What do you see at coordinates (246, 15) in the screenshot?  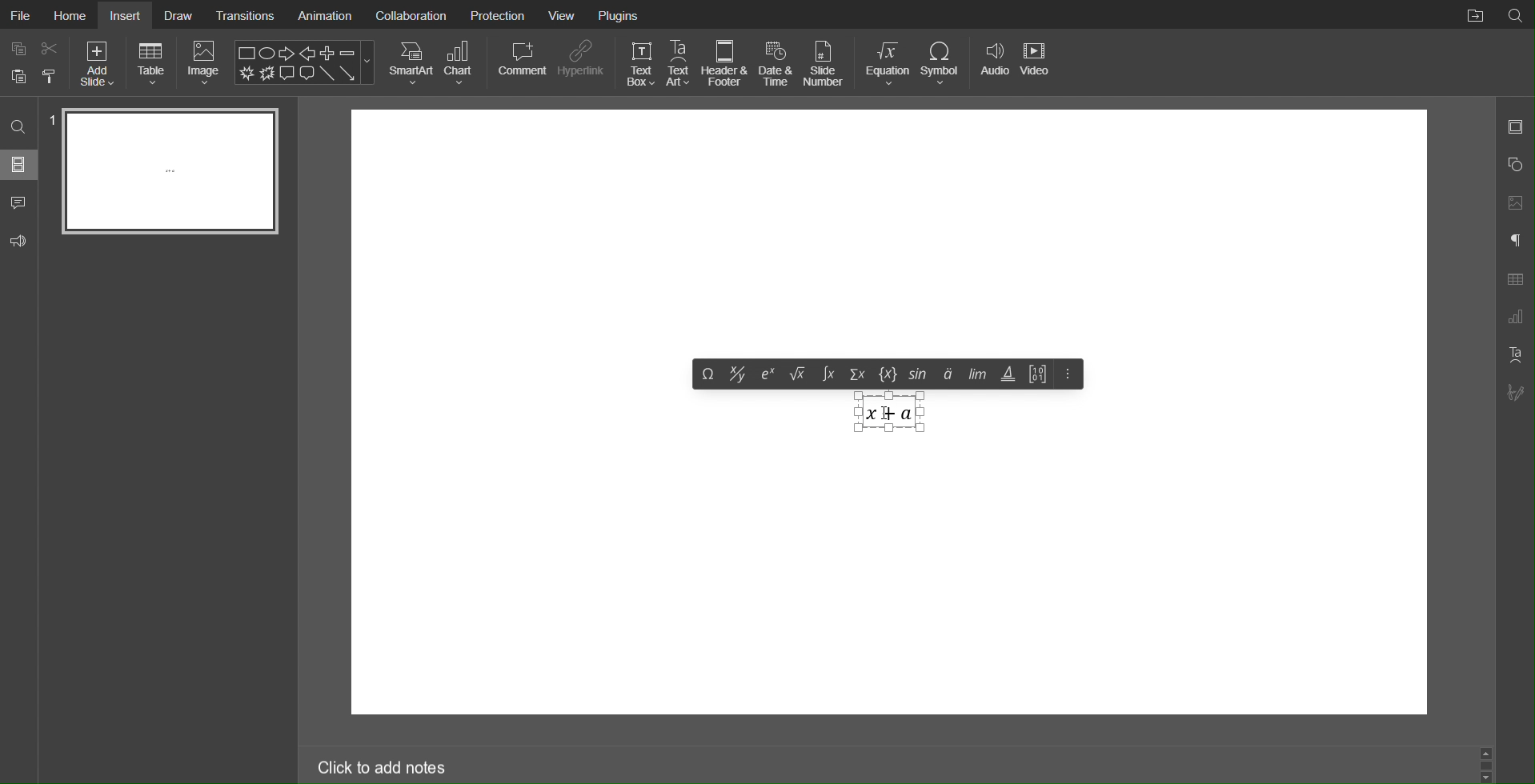 I see `Transistions` at bounding box center [246, 15].